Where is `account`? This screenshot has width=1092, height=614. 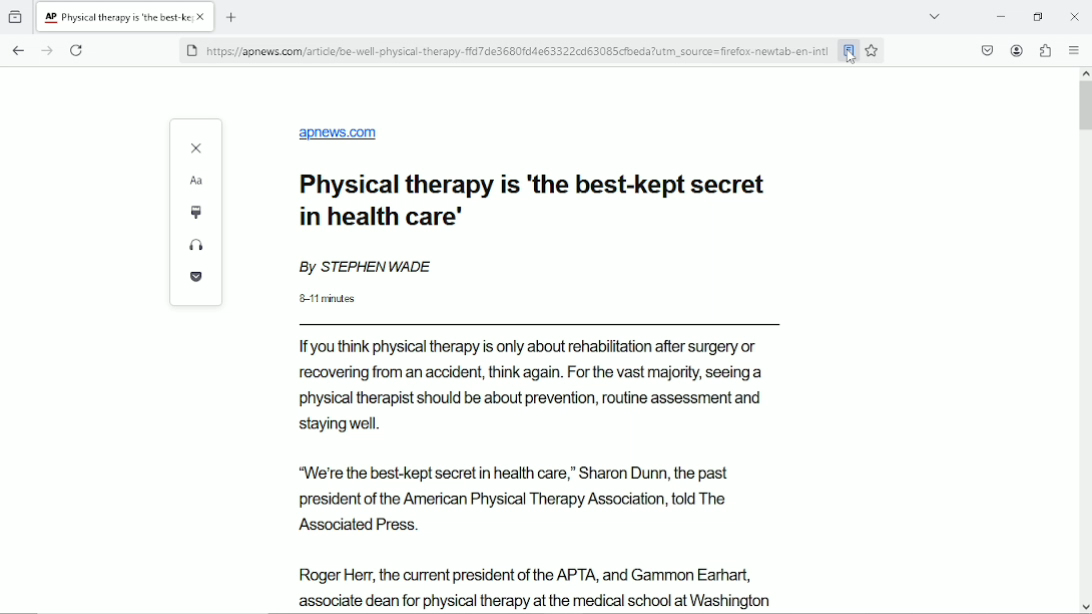
account is located at coordinates (1017, 50).